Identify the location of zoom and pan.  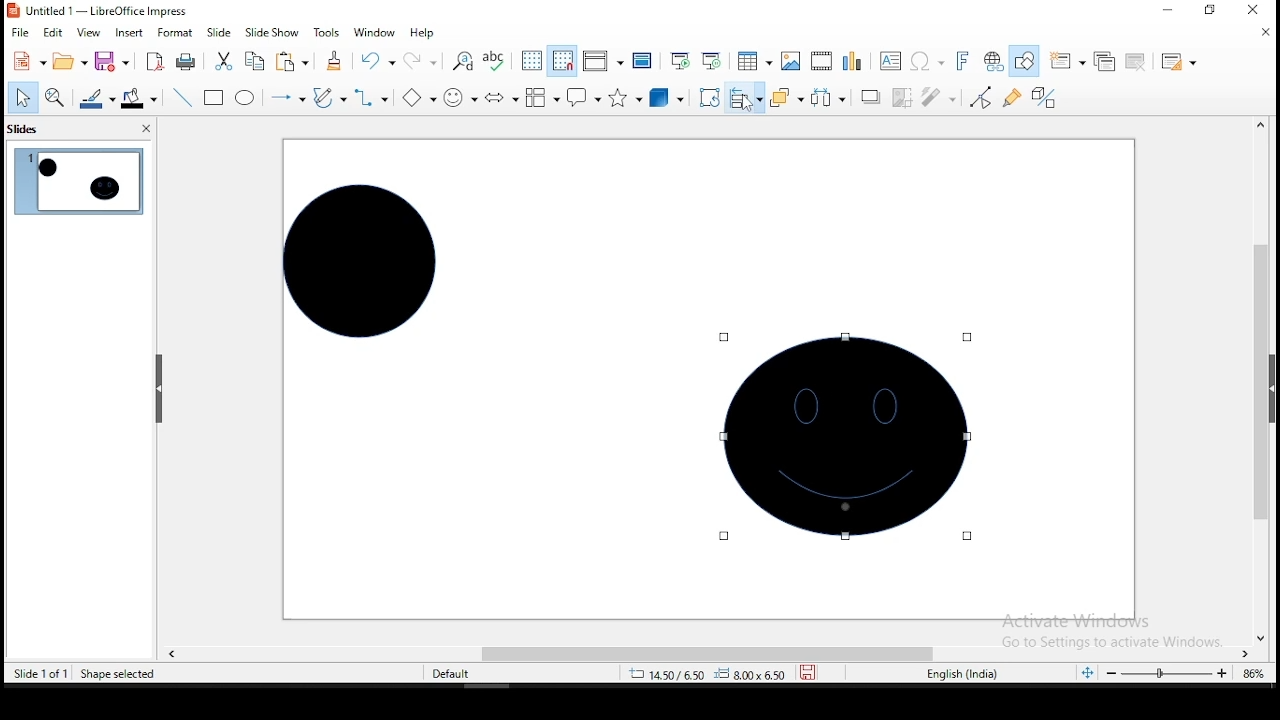
(55, 100).